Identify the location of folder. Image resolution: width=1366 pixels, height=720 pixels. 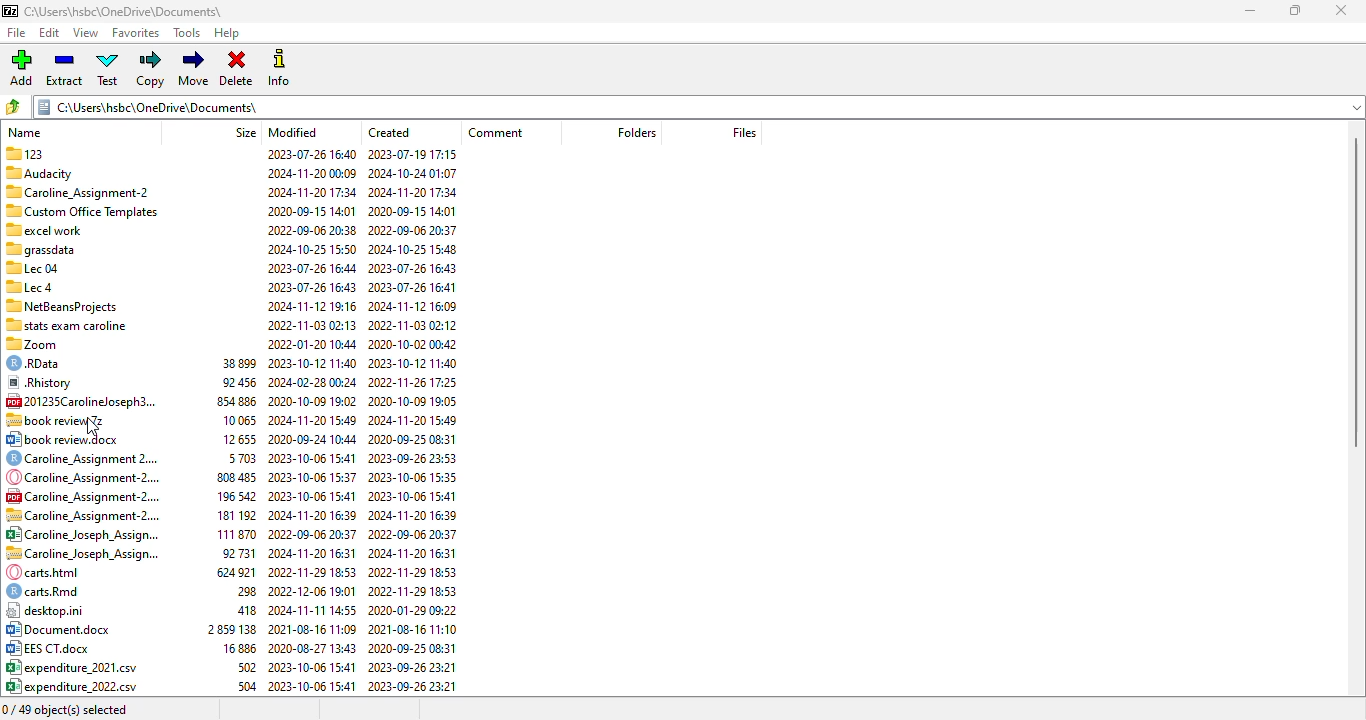
(126, 11).